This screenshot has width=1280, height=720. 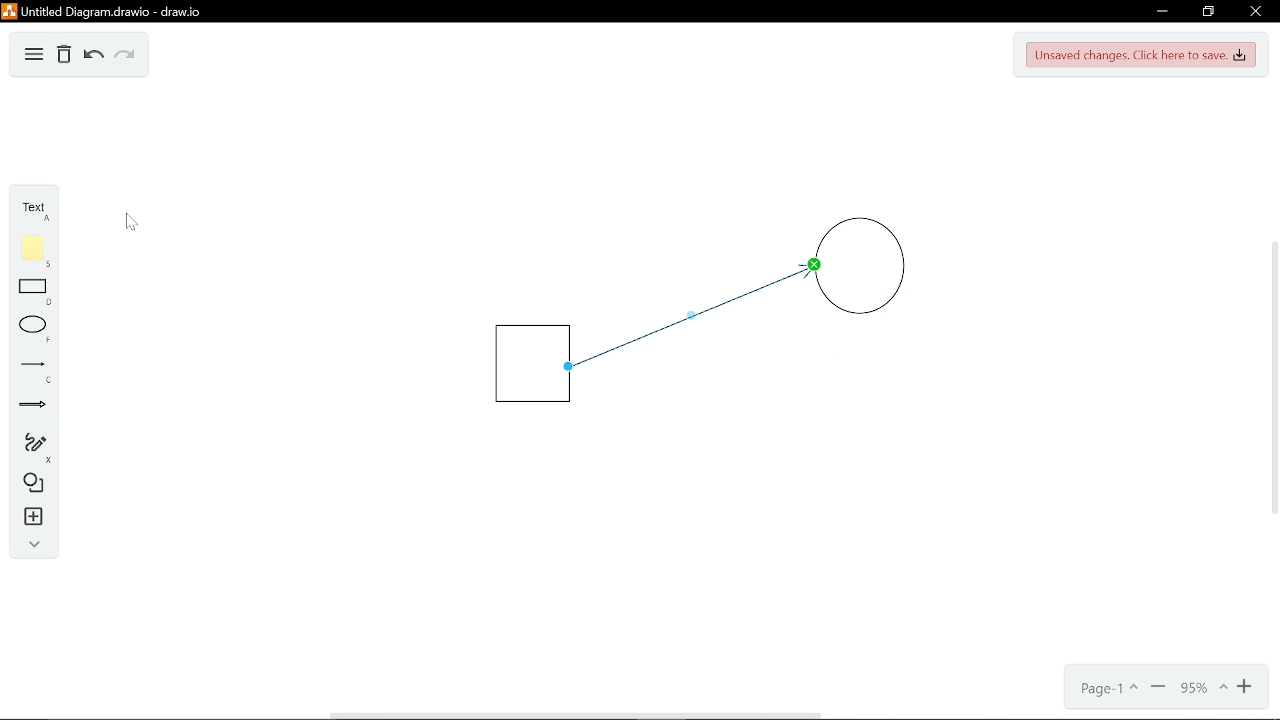 I want to click on Note, so click(x=27, y=249).